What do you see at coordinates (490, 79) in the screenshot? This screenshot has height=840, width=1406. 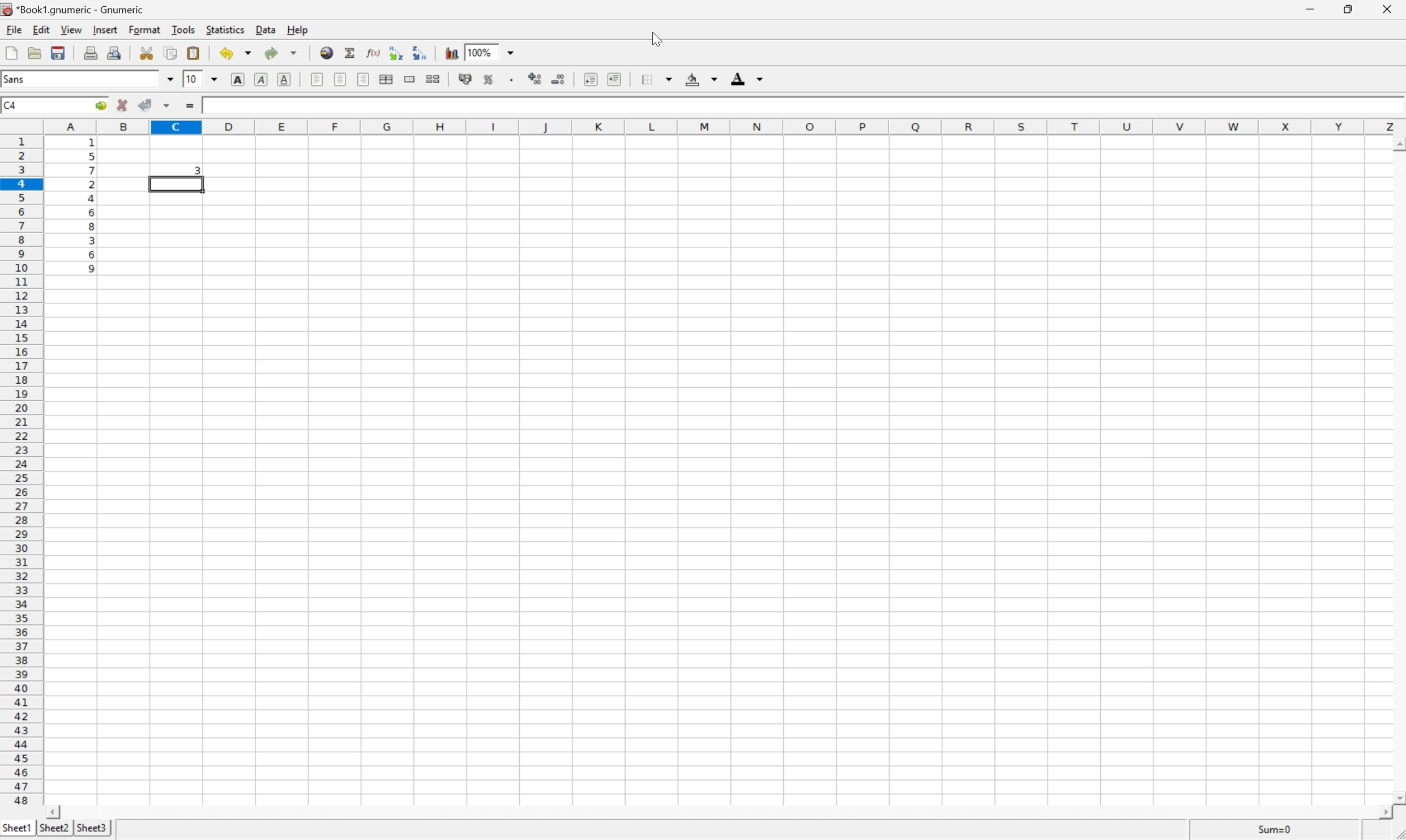 I see `format selection as percentage` at bounding box center [490, 79].